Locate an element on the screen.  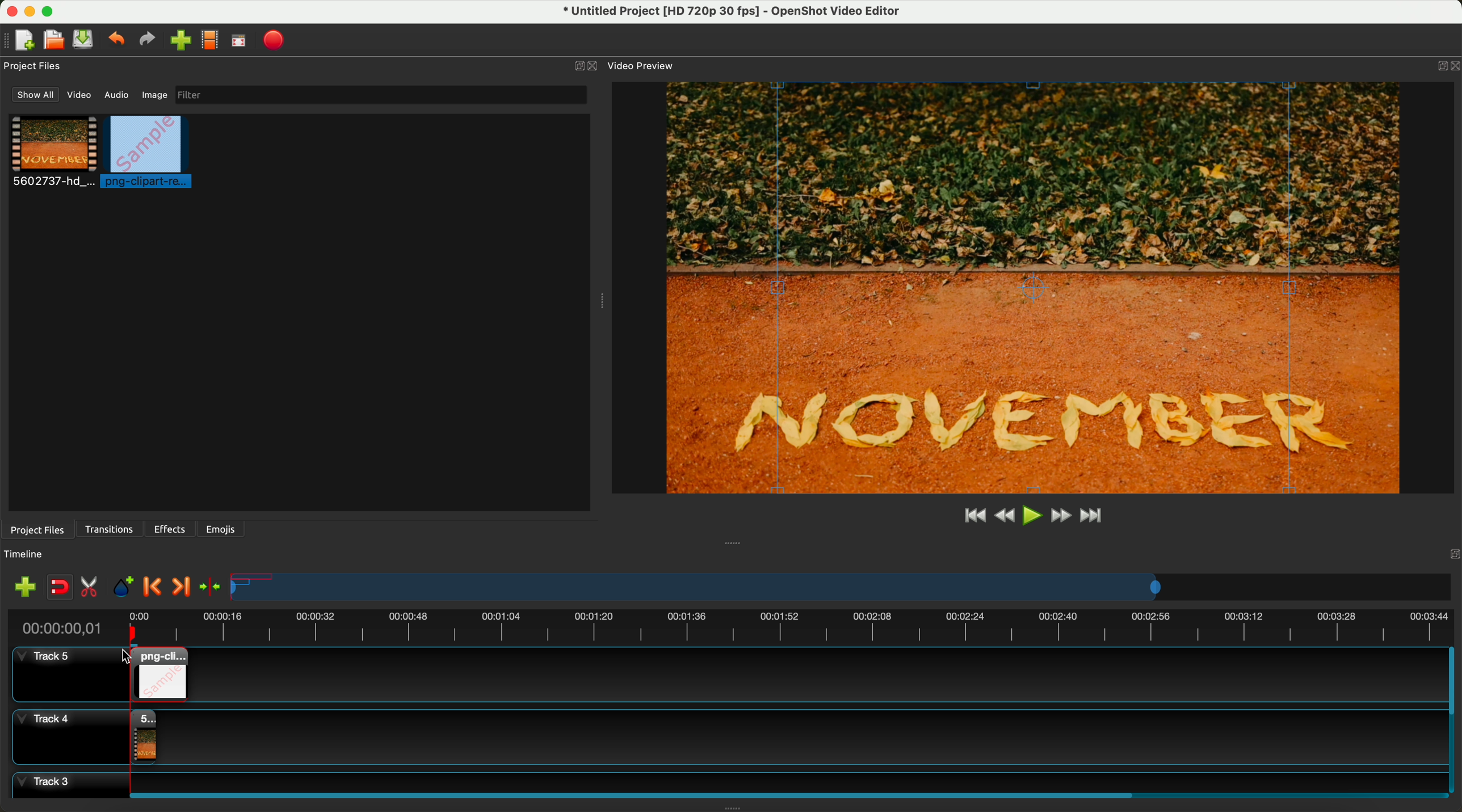
previous marker is located at coordinates (156, 587).